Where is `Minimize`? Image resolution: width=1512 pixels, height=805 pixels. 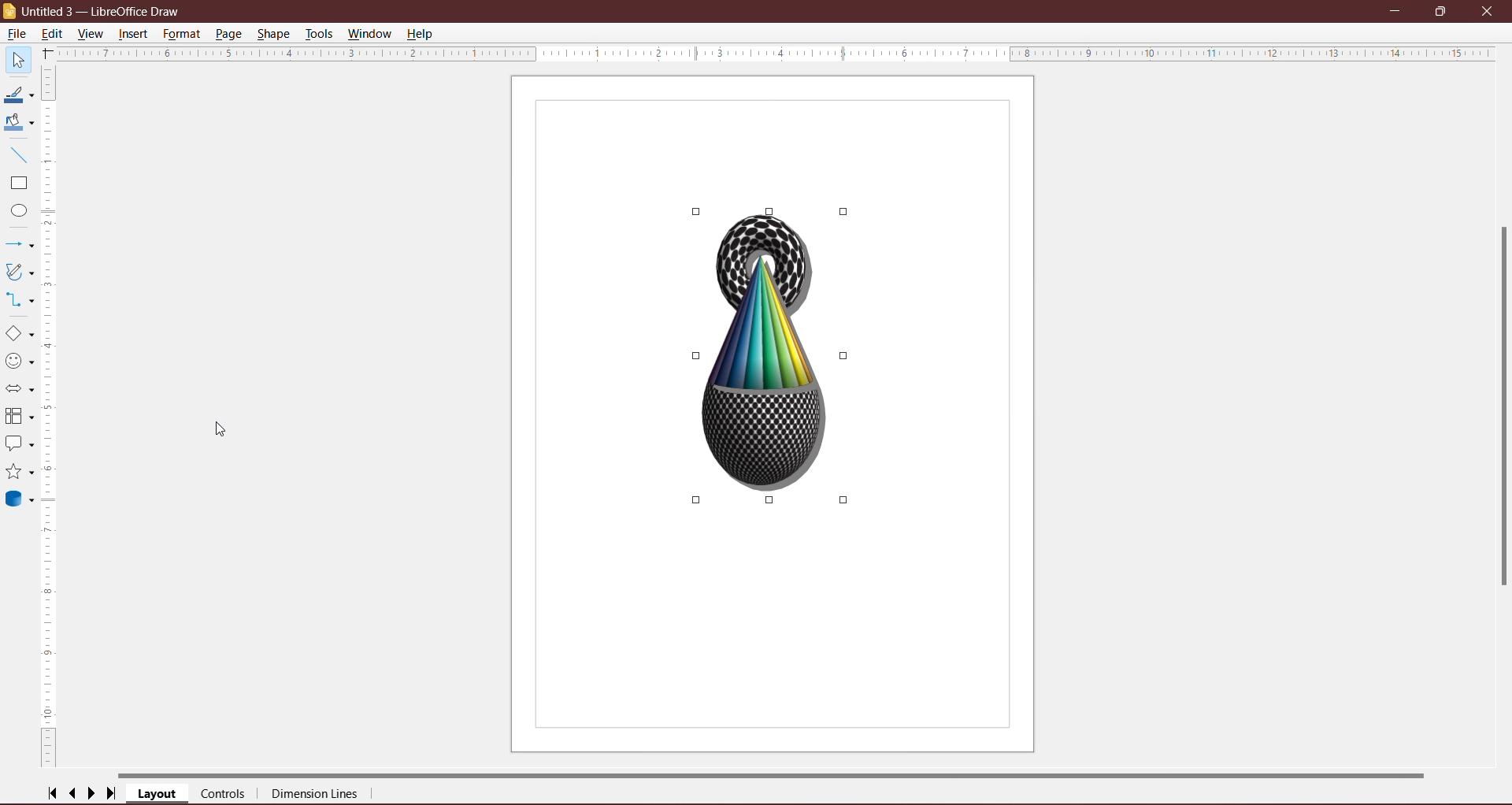 Minimize is located at coordinates (1396, 9).